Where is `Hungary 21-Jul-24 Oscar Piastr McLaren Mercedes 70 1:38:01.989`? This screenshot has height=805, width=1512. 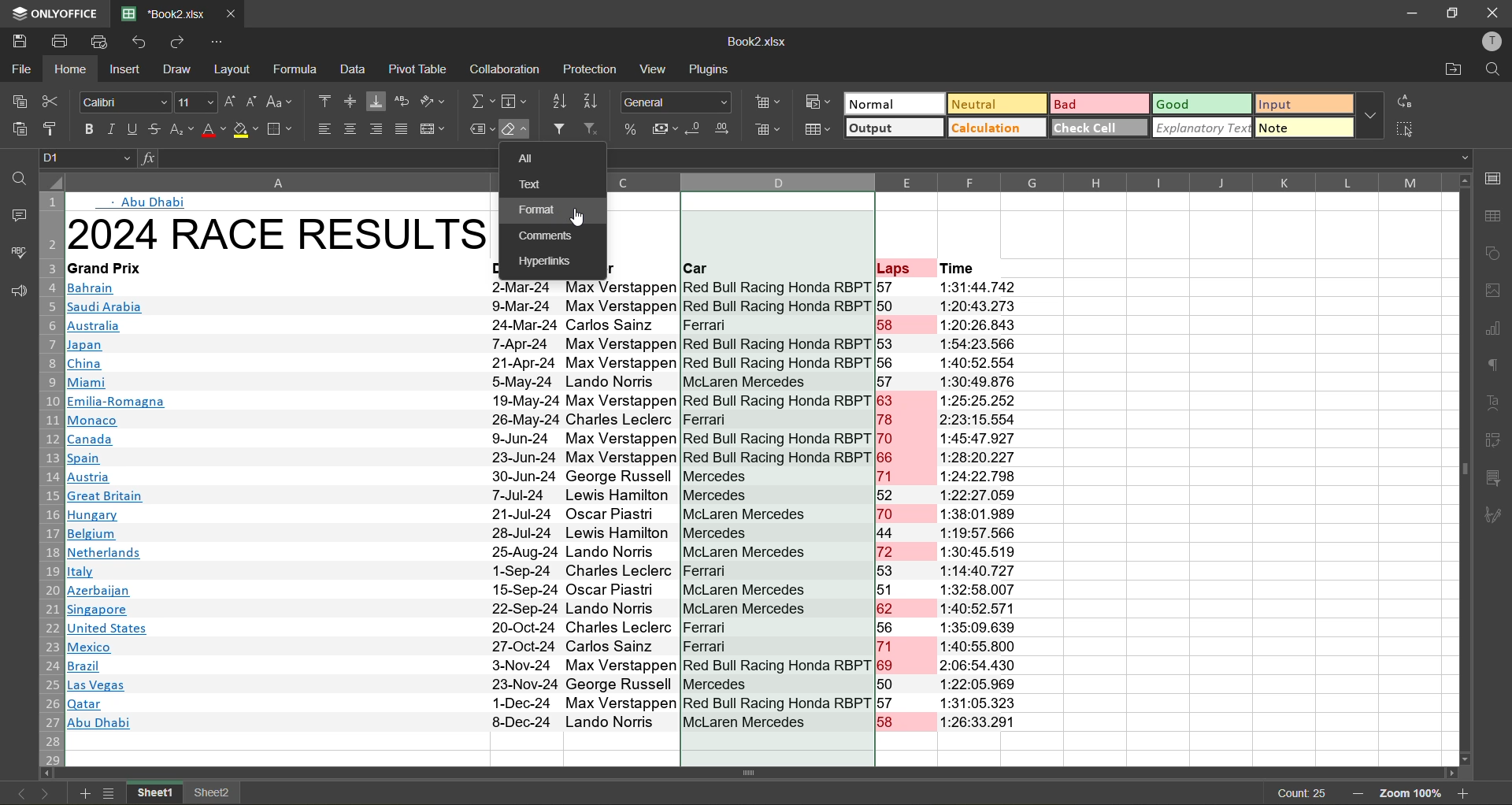 Hungary 21-Jul-24 Oscar Piastr McLaren Mercedes 70 1:38:01.989 is located at coordinates (547, 514).